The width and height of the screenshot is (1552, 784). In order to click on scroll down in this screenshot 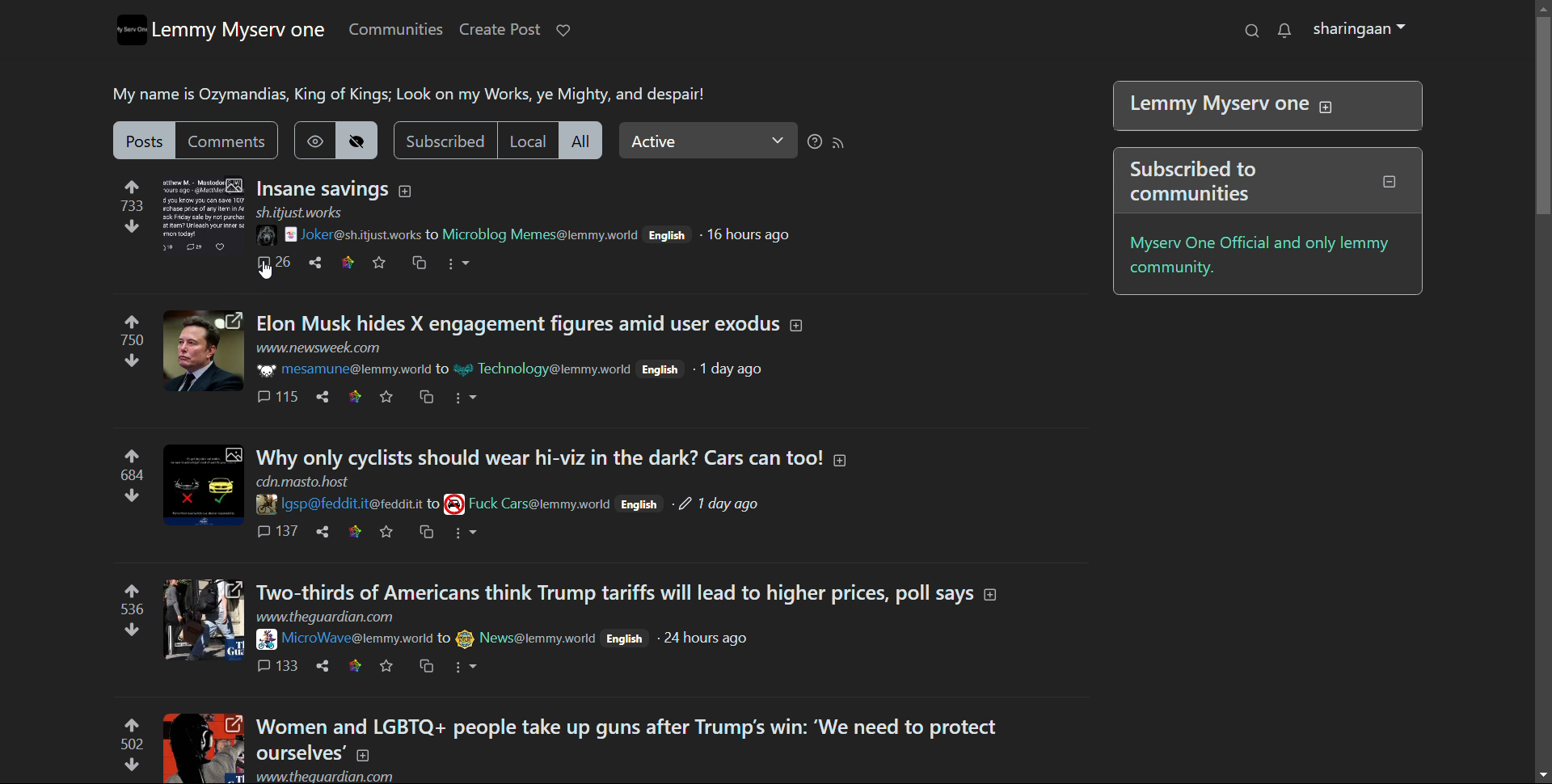, I will do `click(1542, 774)`.